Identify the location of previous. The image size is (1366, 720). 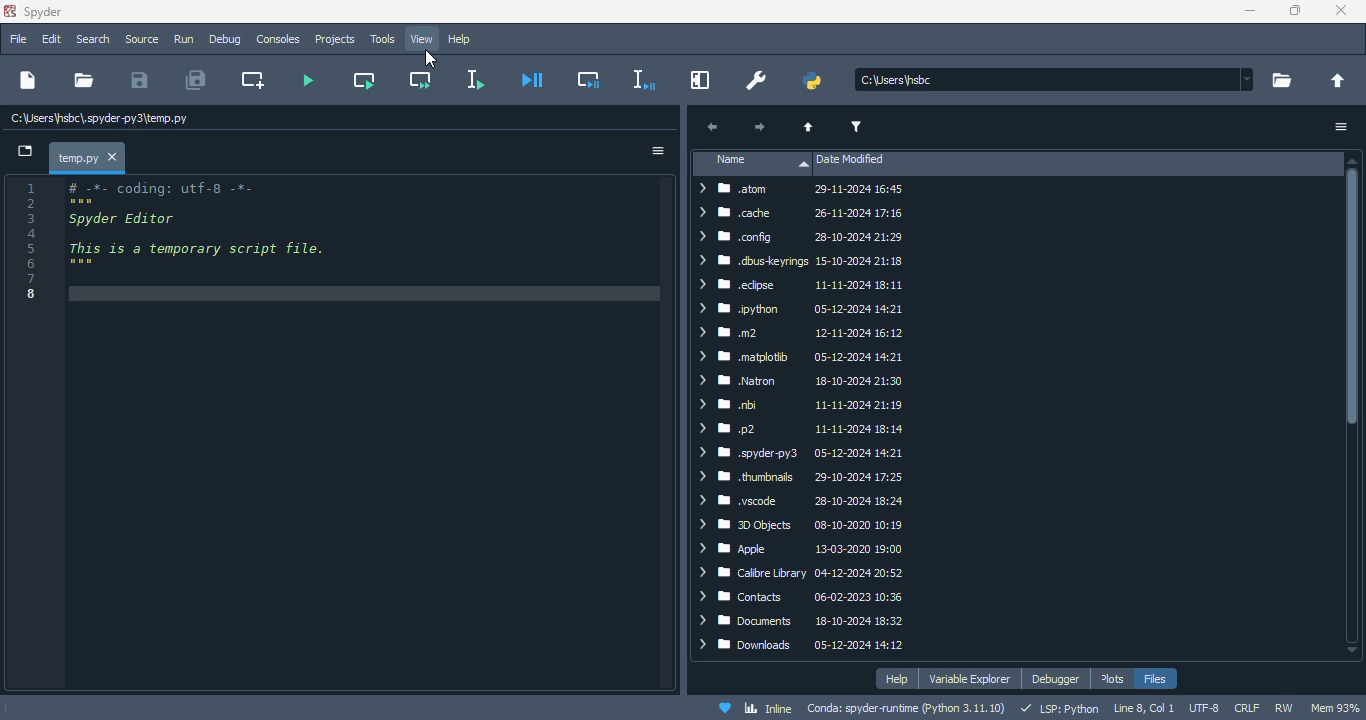
(711, 128).